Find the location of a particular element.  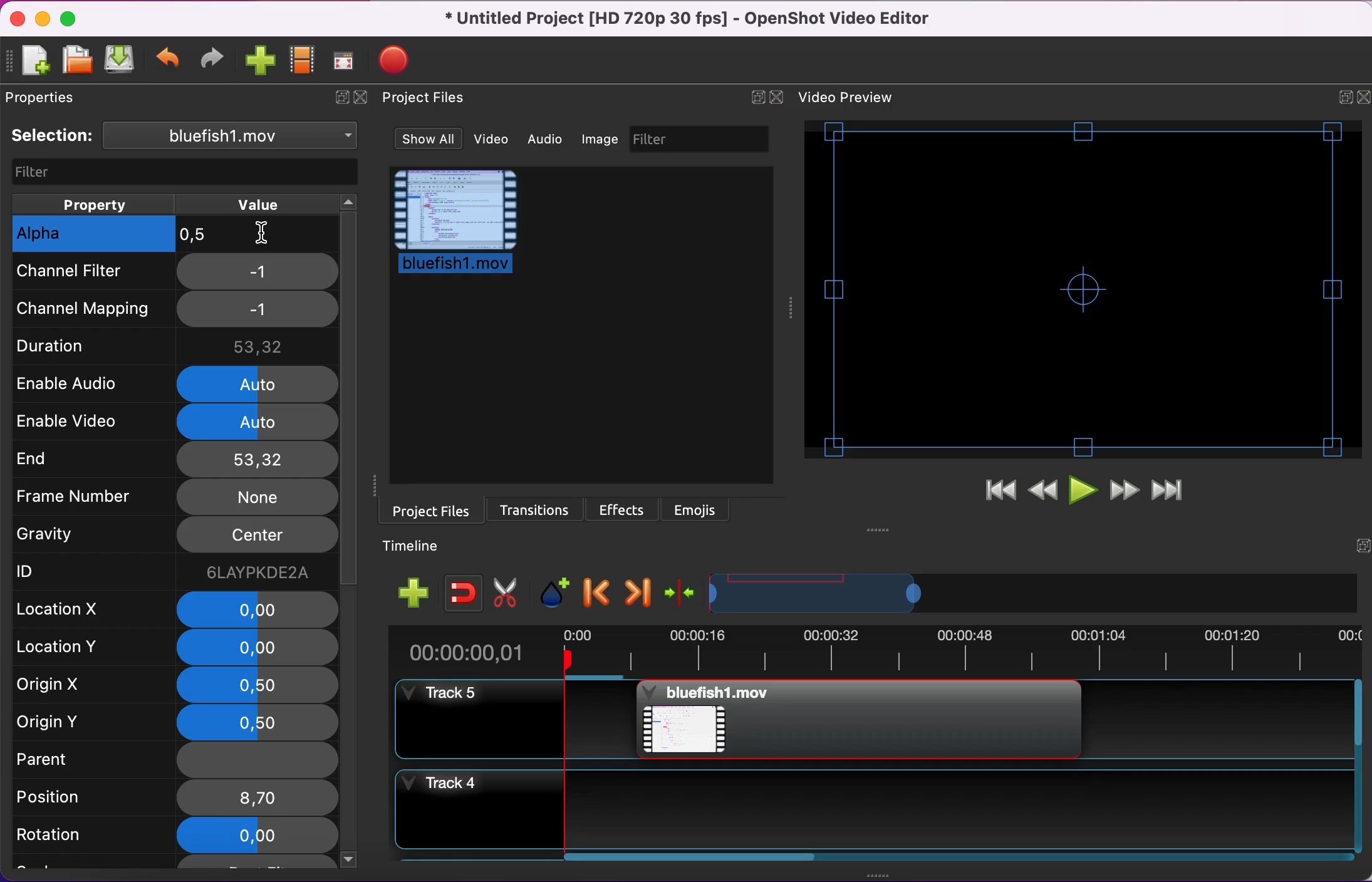

auto is located at coordinates (257, 422).